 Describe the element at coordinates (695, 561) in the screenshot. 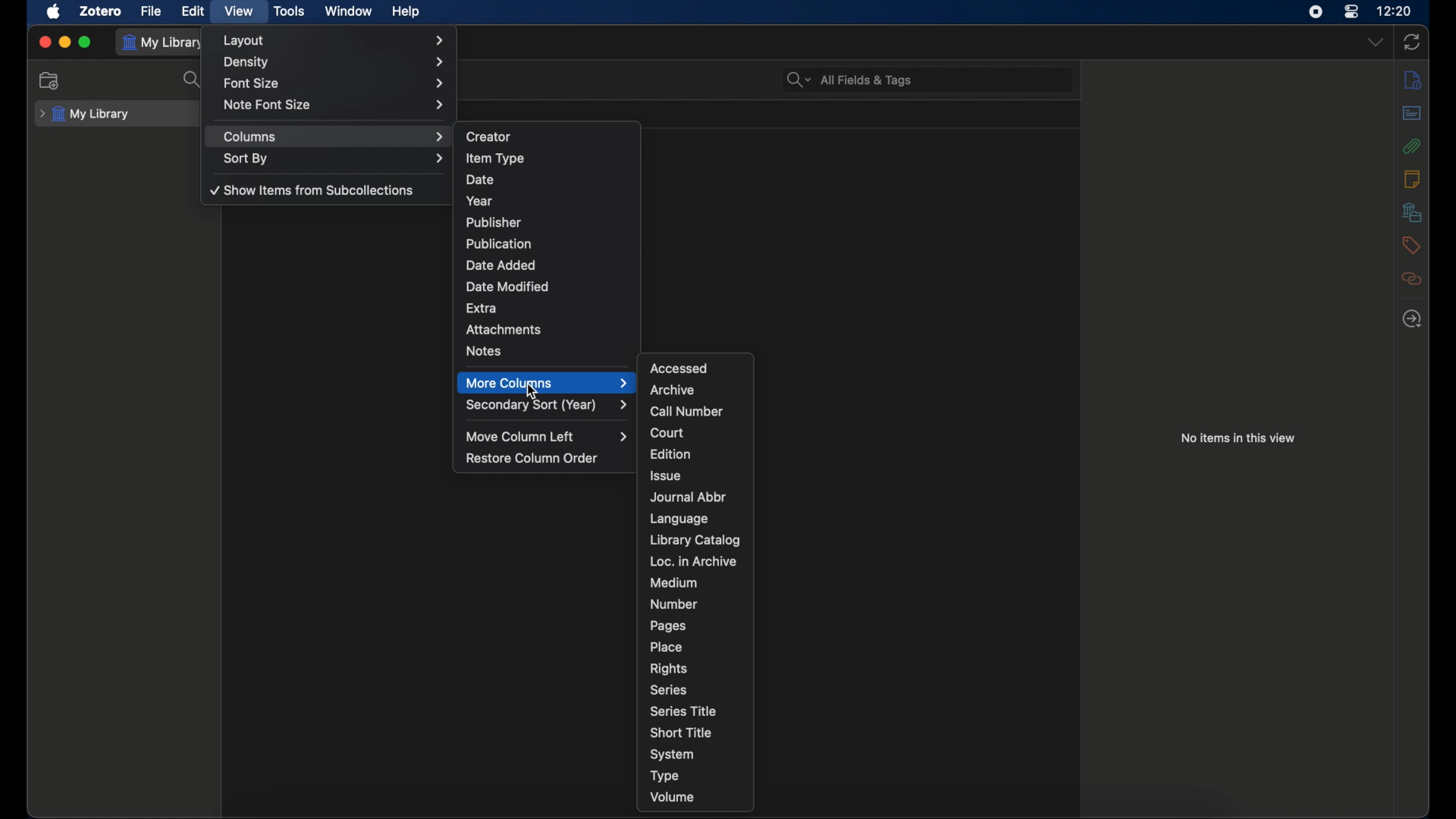

I see `loc. in archive` at that location.